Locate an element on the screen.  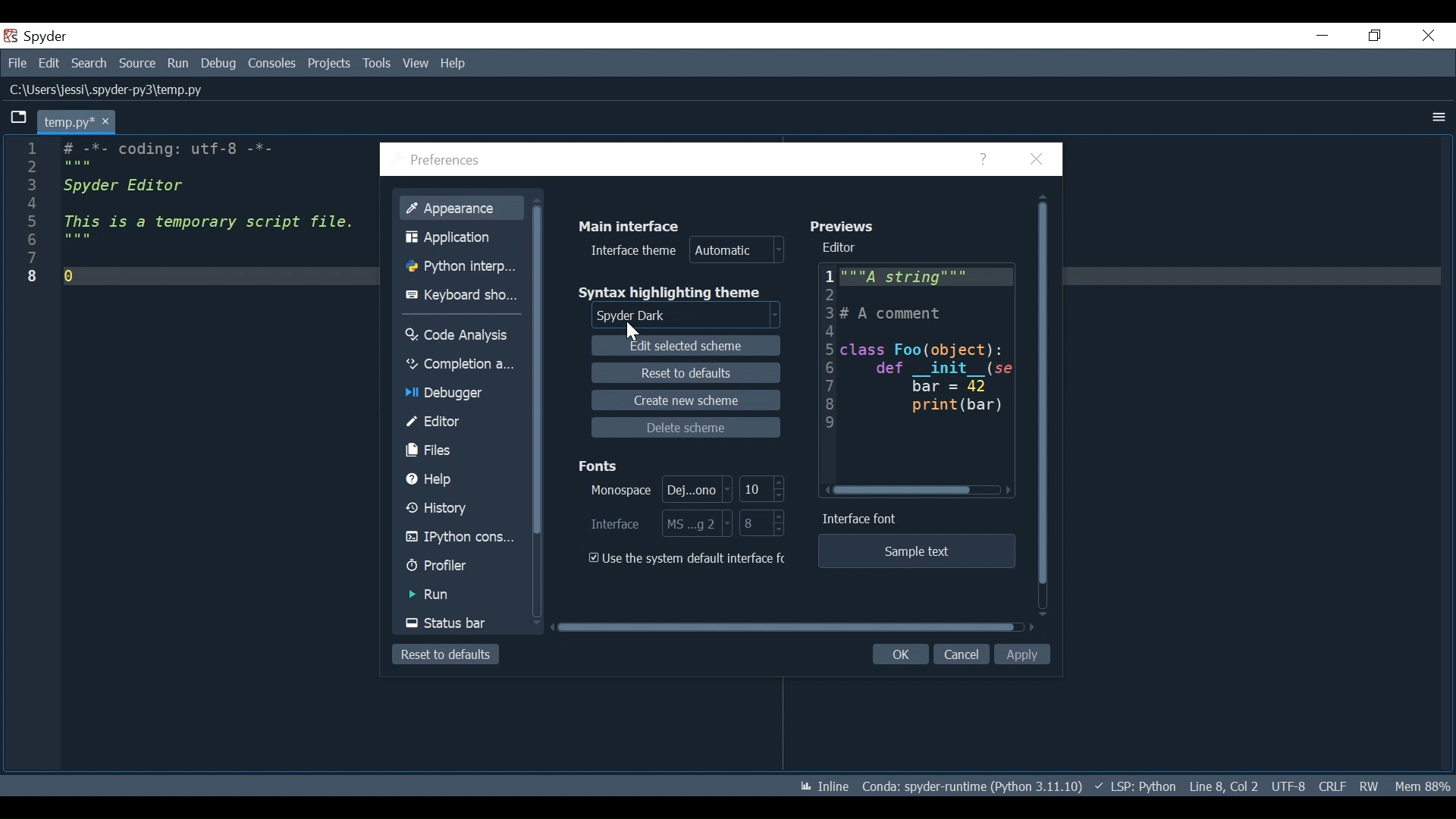
(un)check the use the system default interface font is located at coordinates (686, 557).